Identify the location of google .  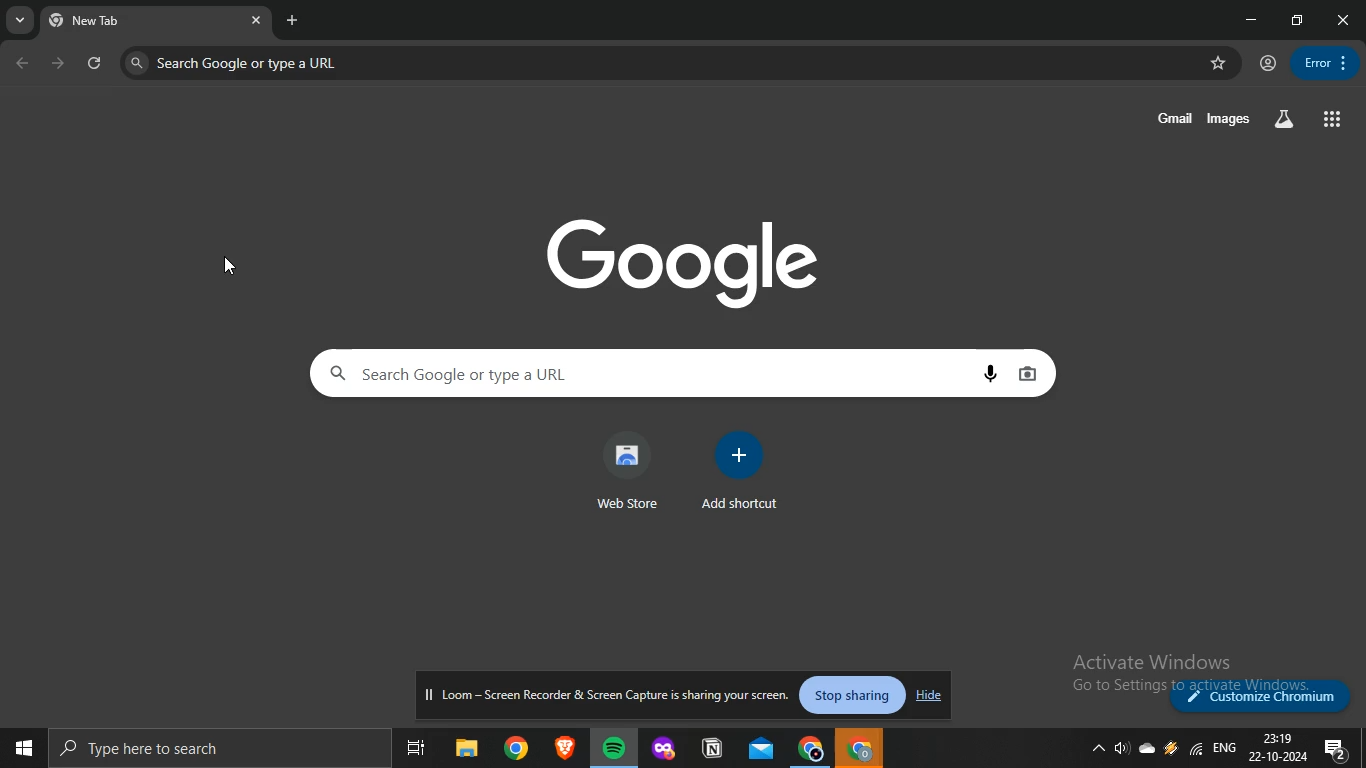
(687, 259).